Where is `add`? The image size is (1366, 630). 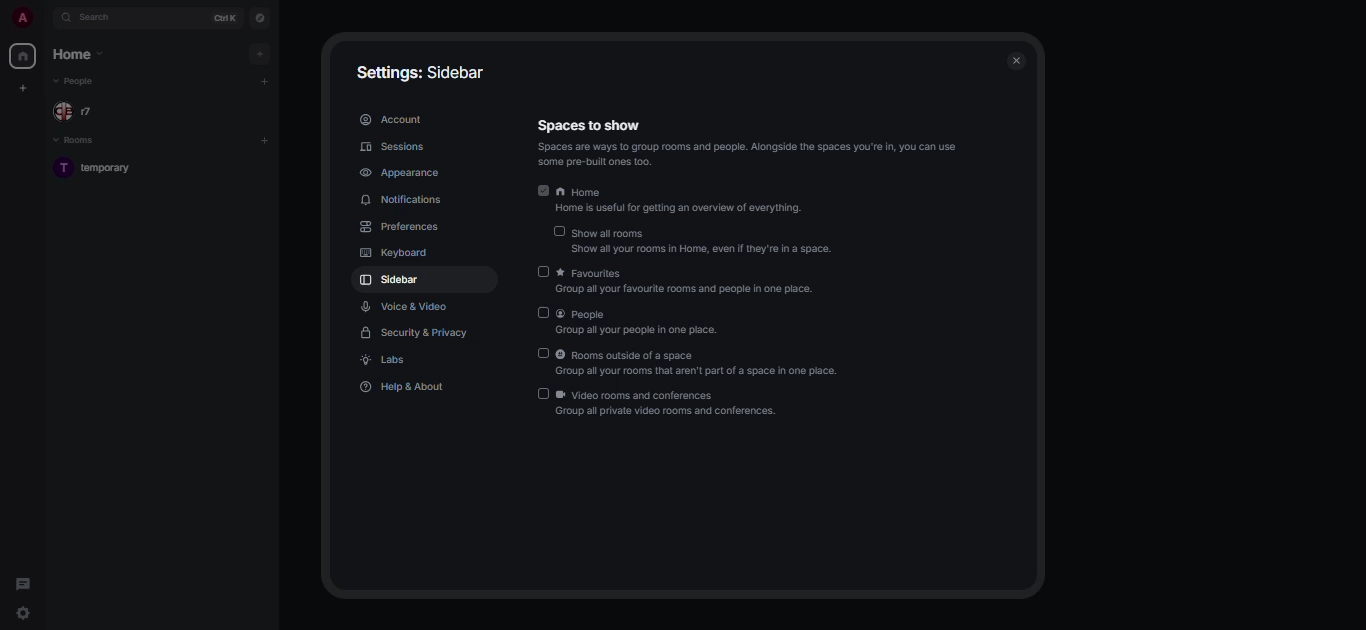 add is located at coordinates (268, 140).